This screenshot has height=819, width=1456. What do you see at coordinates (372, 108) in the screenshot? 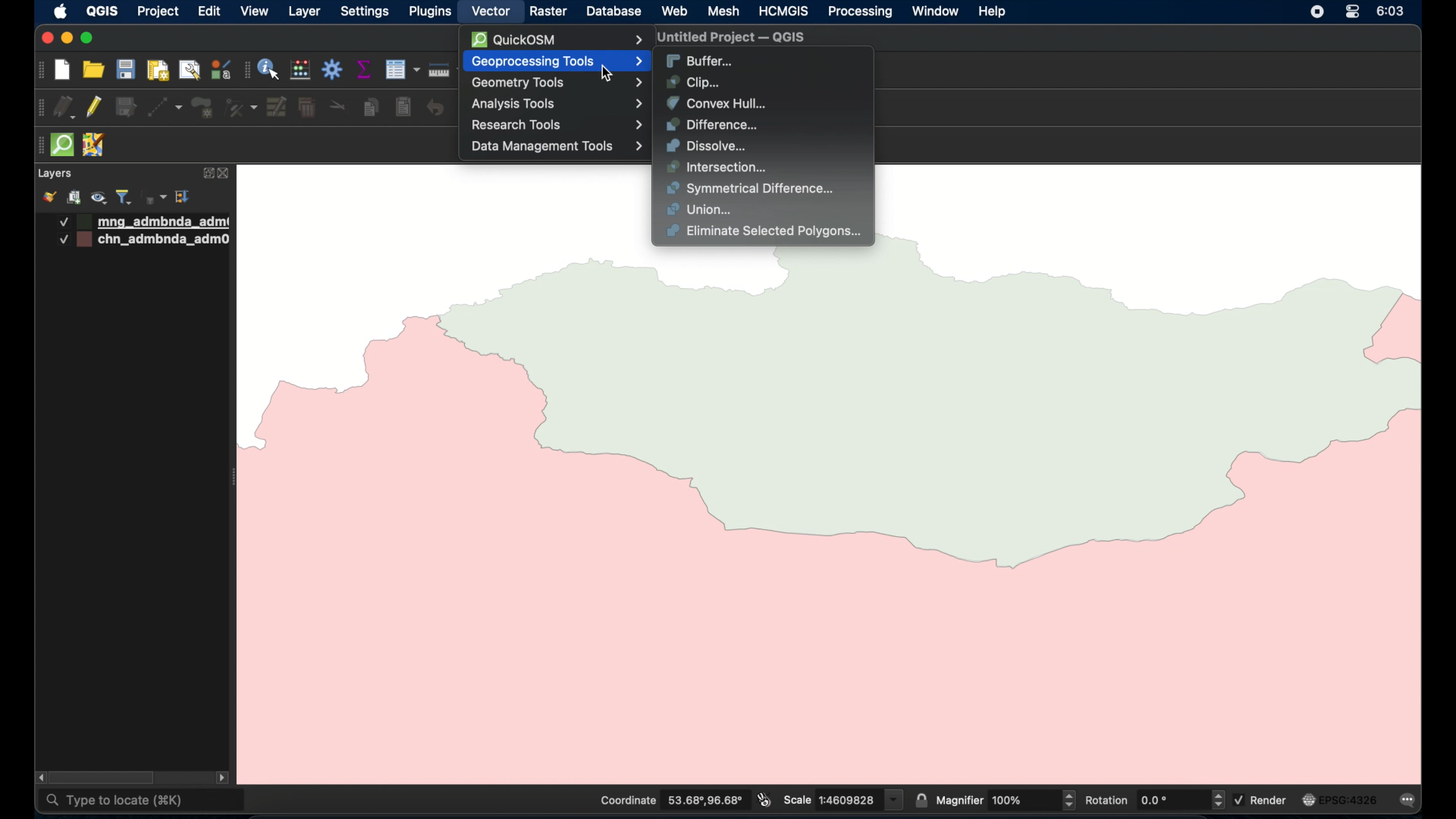
I see `copy features` at bounding box center [372, 108].